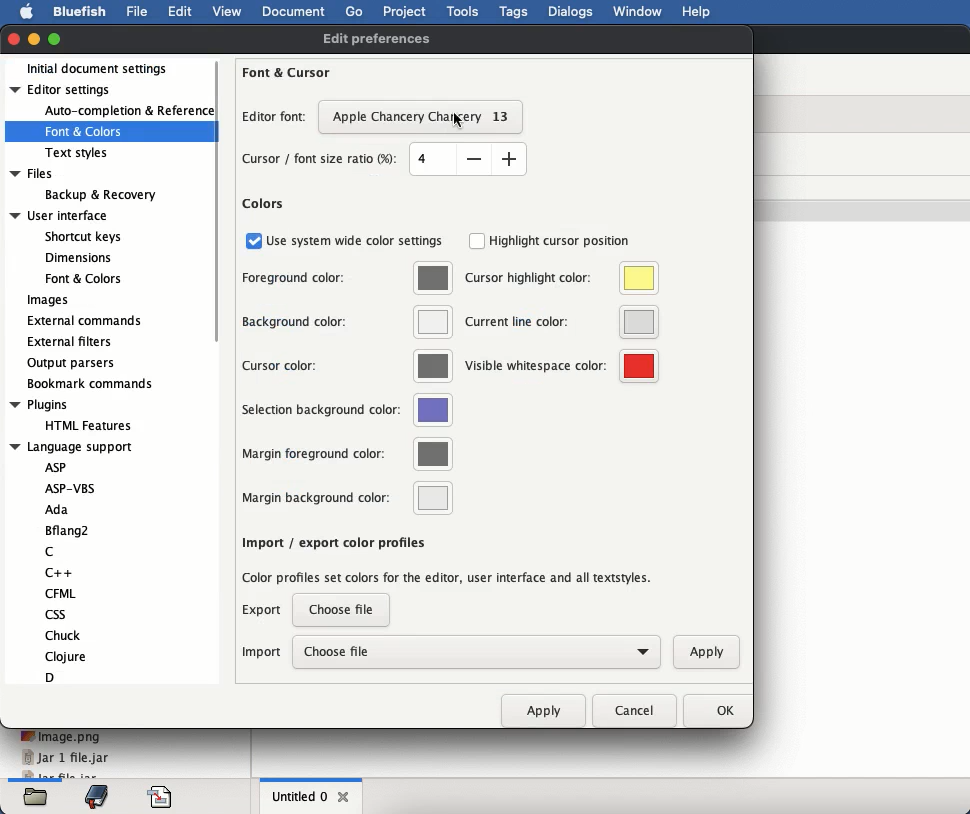 This screenshot has width=970, height=814. What do you see at coordinates (96, 796) in the screenshot?
I see `bookmark` at bounding box center [96, 796].